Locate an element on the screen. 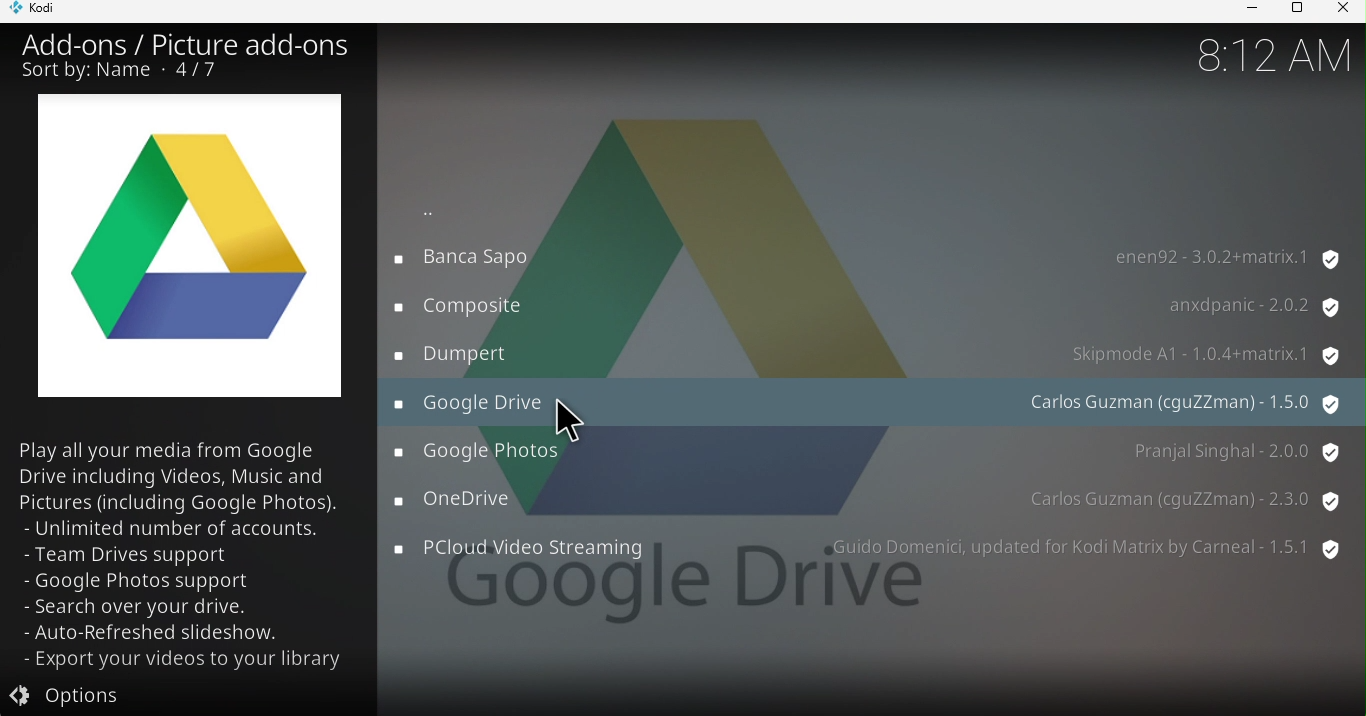  Google photos is located at coordinates (870, 452).